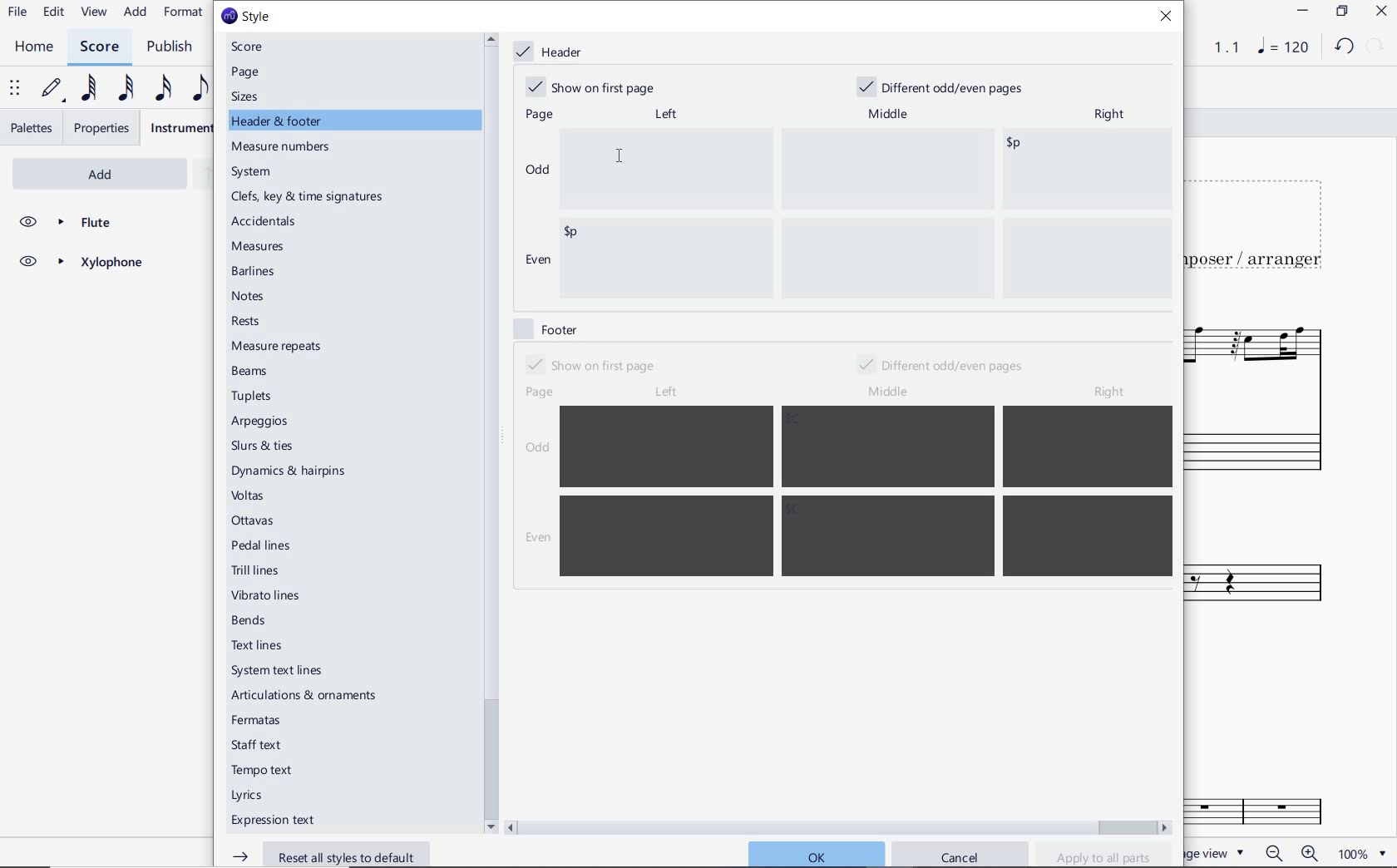 This screenshot has height=868, width=1397. What do you see at coordinates (1281, 806) in the screenshot?
I see `Fl.` at bounding box center [1281, 806].